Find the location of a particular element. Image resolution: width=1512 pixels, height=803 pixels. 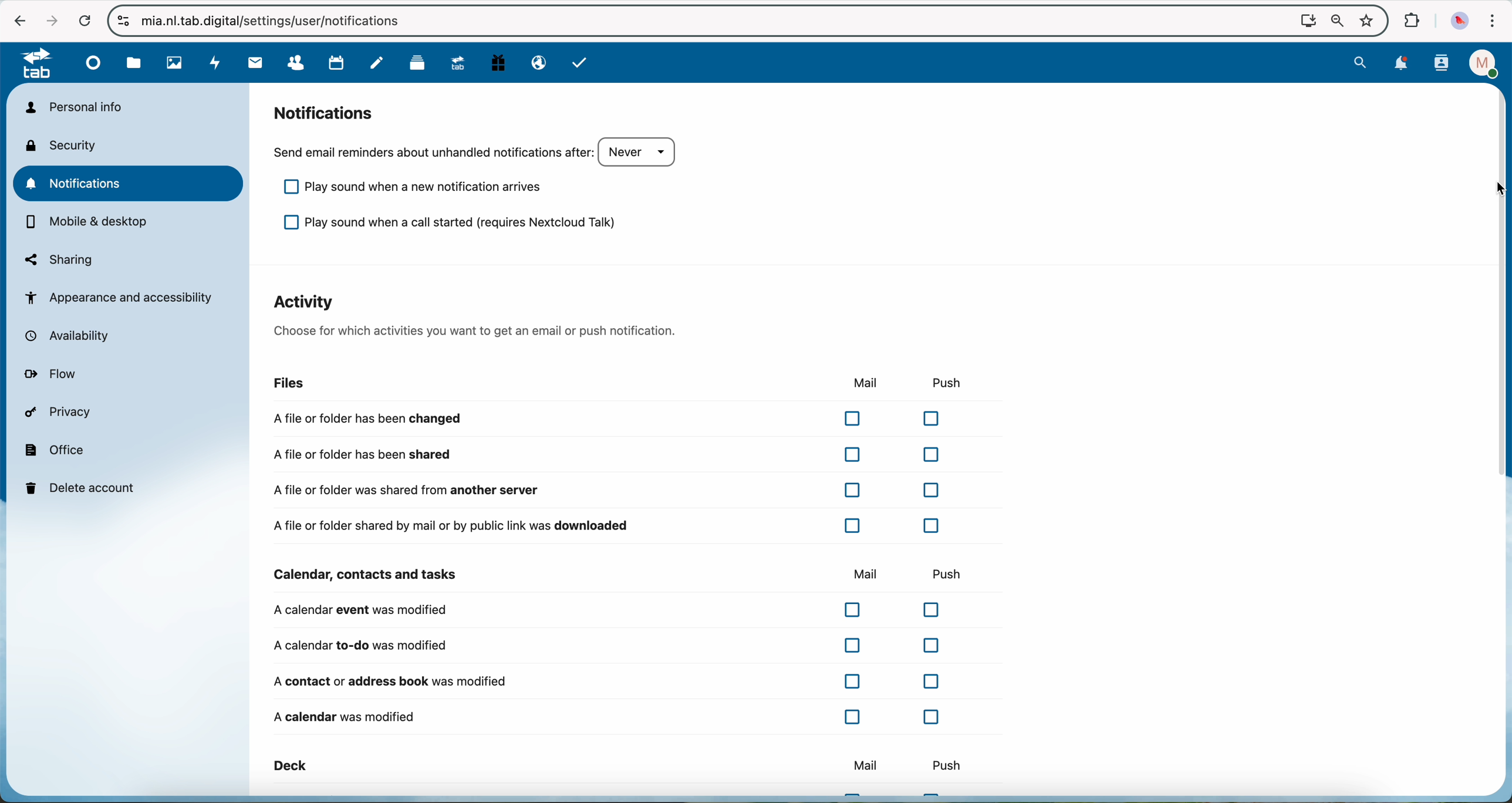

search is located at coordinates (1362, 62).